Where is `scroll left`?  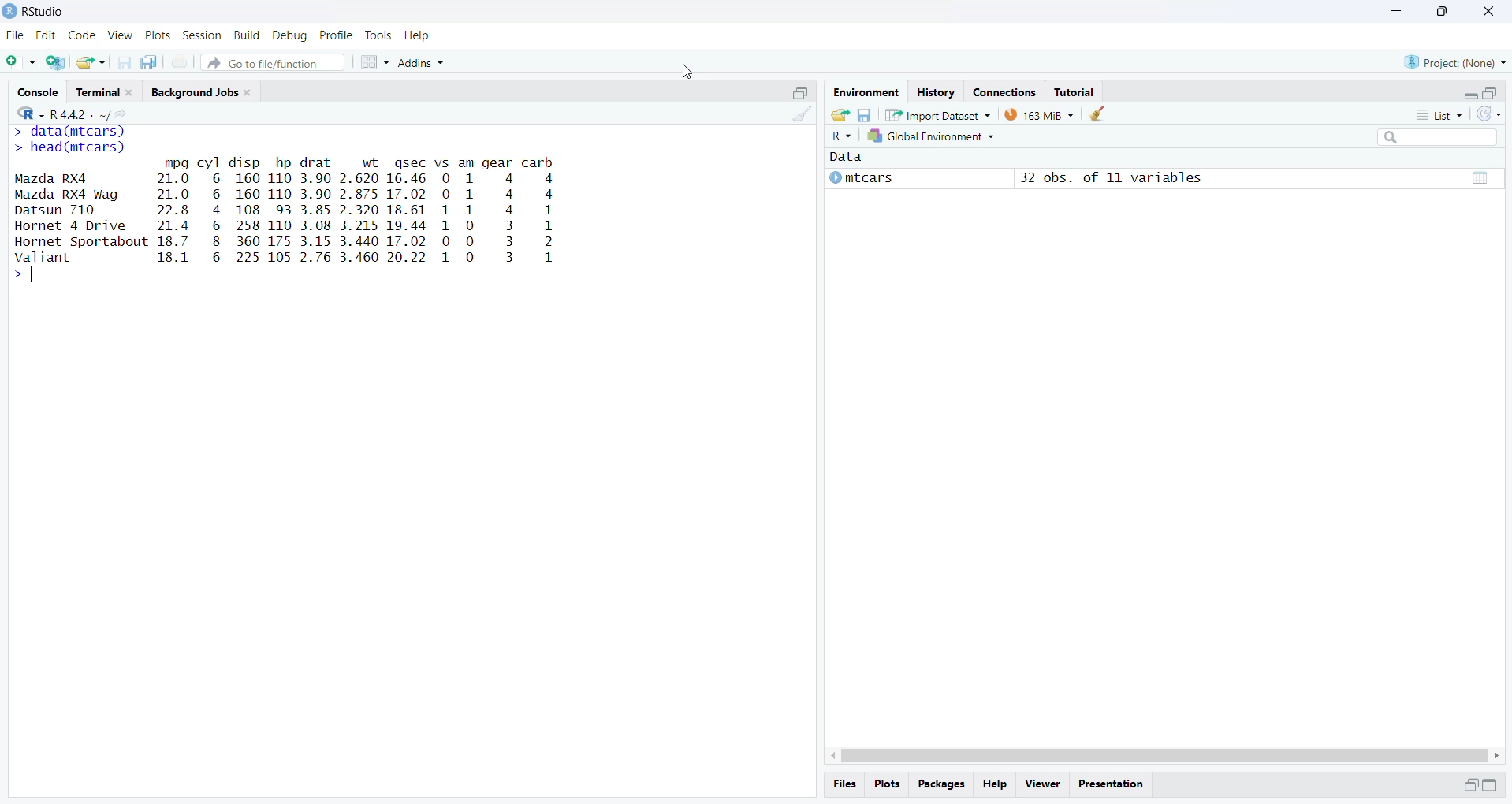
scroll left is located at coordinates (831, 757).